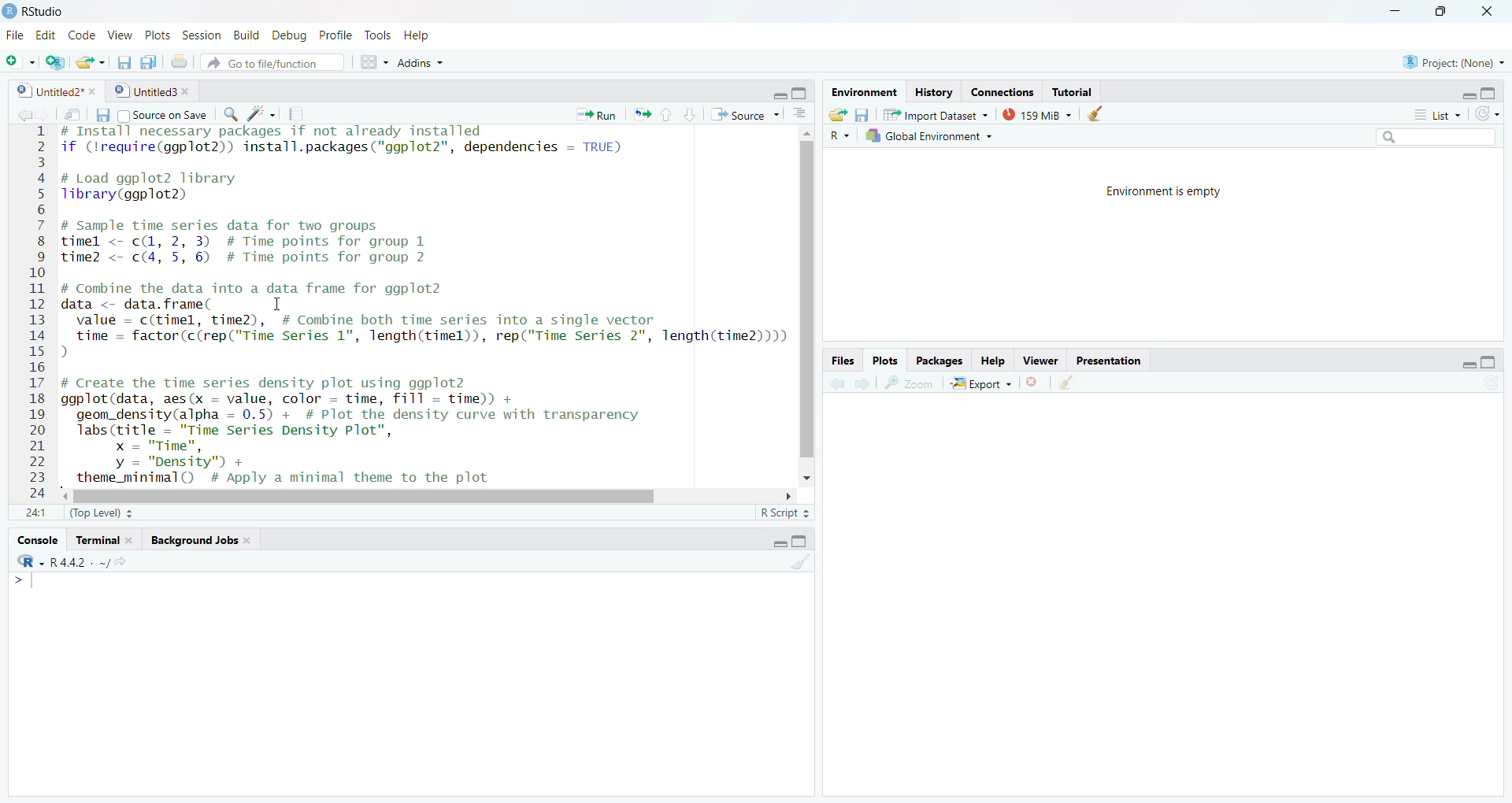 Image resolution: width=1512 pixels, height=803 pixels. I want to click on Environment, so click(864, 92).